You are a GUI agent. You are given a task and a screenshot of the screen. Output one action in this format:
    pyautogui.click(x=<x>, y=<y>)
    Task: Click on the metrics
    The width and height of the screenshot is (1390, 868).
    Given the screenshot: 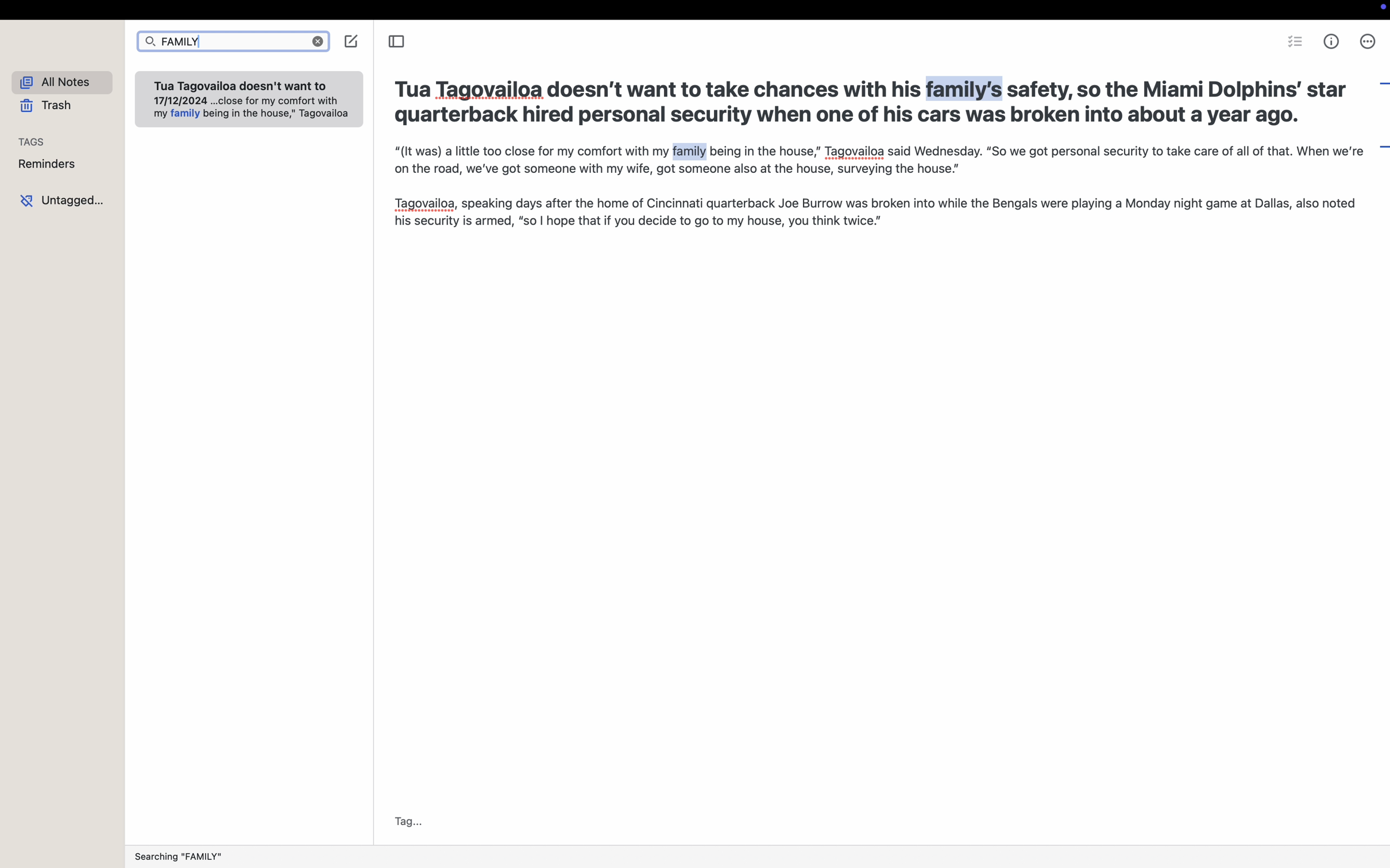 What is the action you would take?
    pyautogui.click(x=1333, y=42)
    